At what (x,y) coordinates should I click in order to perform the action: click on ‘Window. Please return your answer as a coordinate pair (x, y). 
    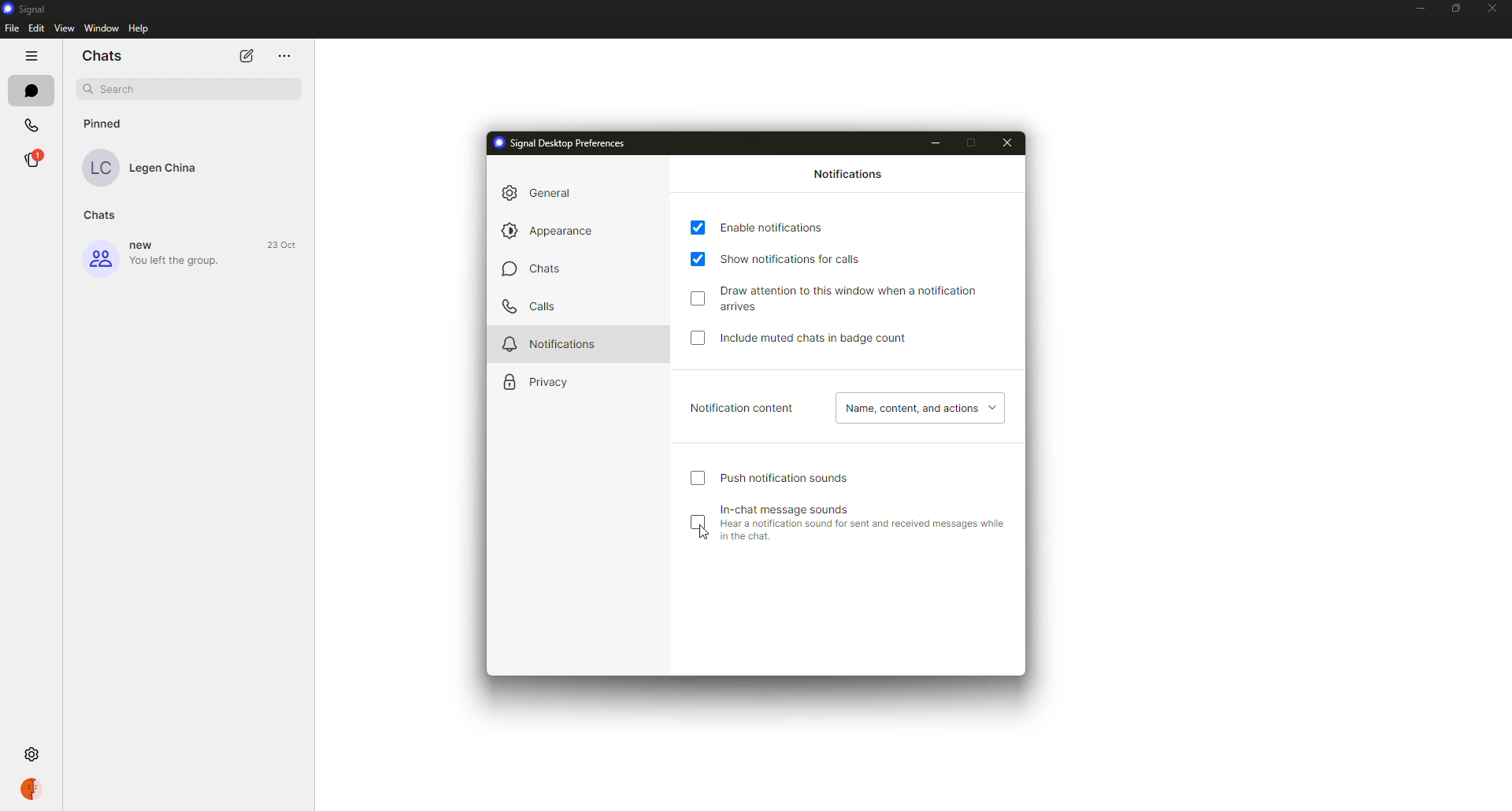
    Looking at the image, I should click on (101, 28).